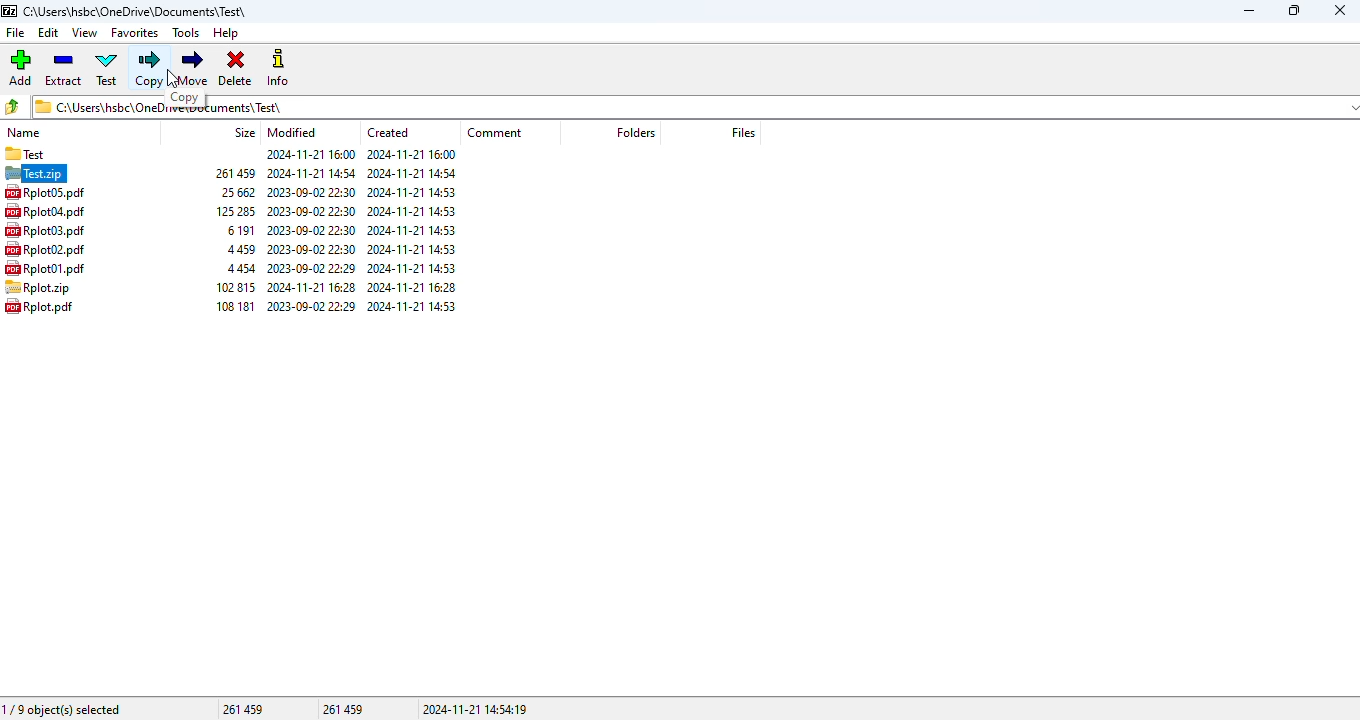 This screenshot has width=1360, height=720. Describe the element at coordinates (86, 32) in the screenshot. I see `view` at that location.